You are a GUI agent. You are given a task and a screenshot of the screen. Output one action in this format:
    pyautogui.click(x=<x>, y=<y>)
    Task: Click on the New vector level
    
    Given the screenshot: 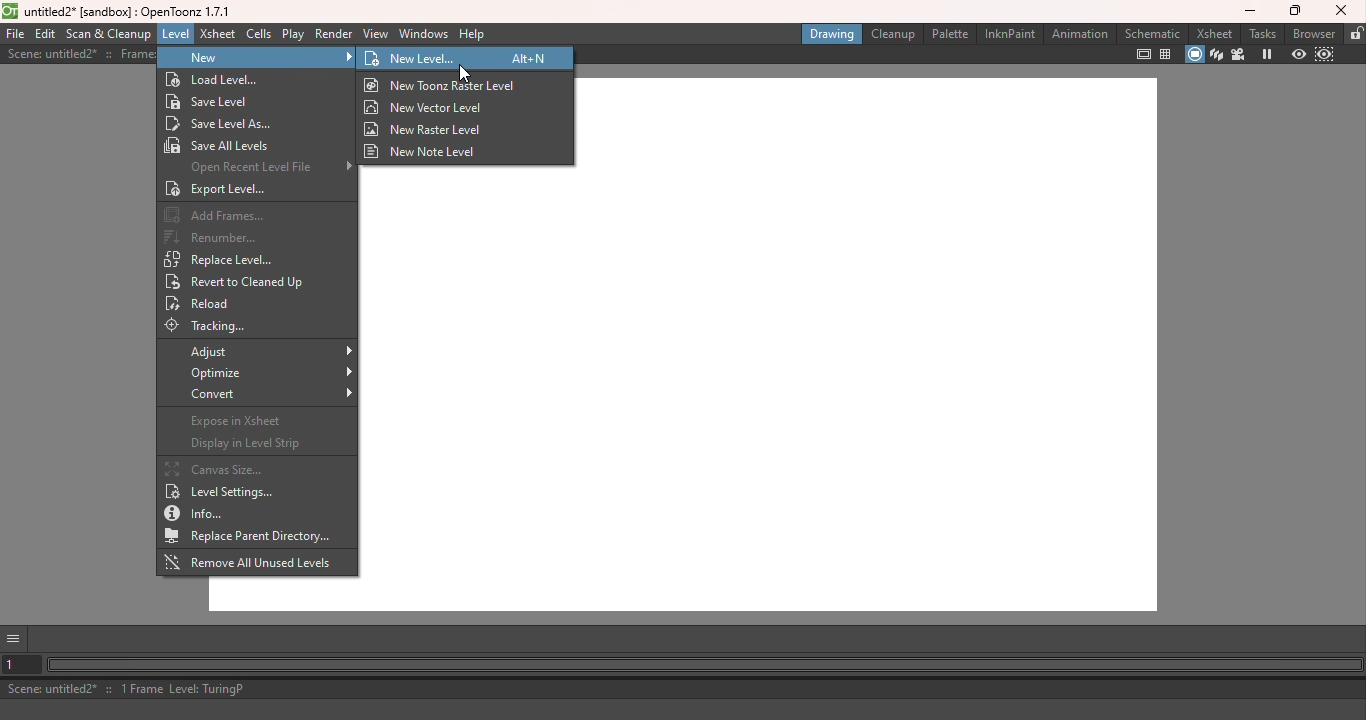 What is the action you would take?
    pyautogui.click(x=428, y=108)
    